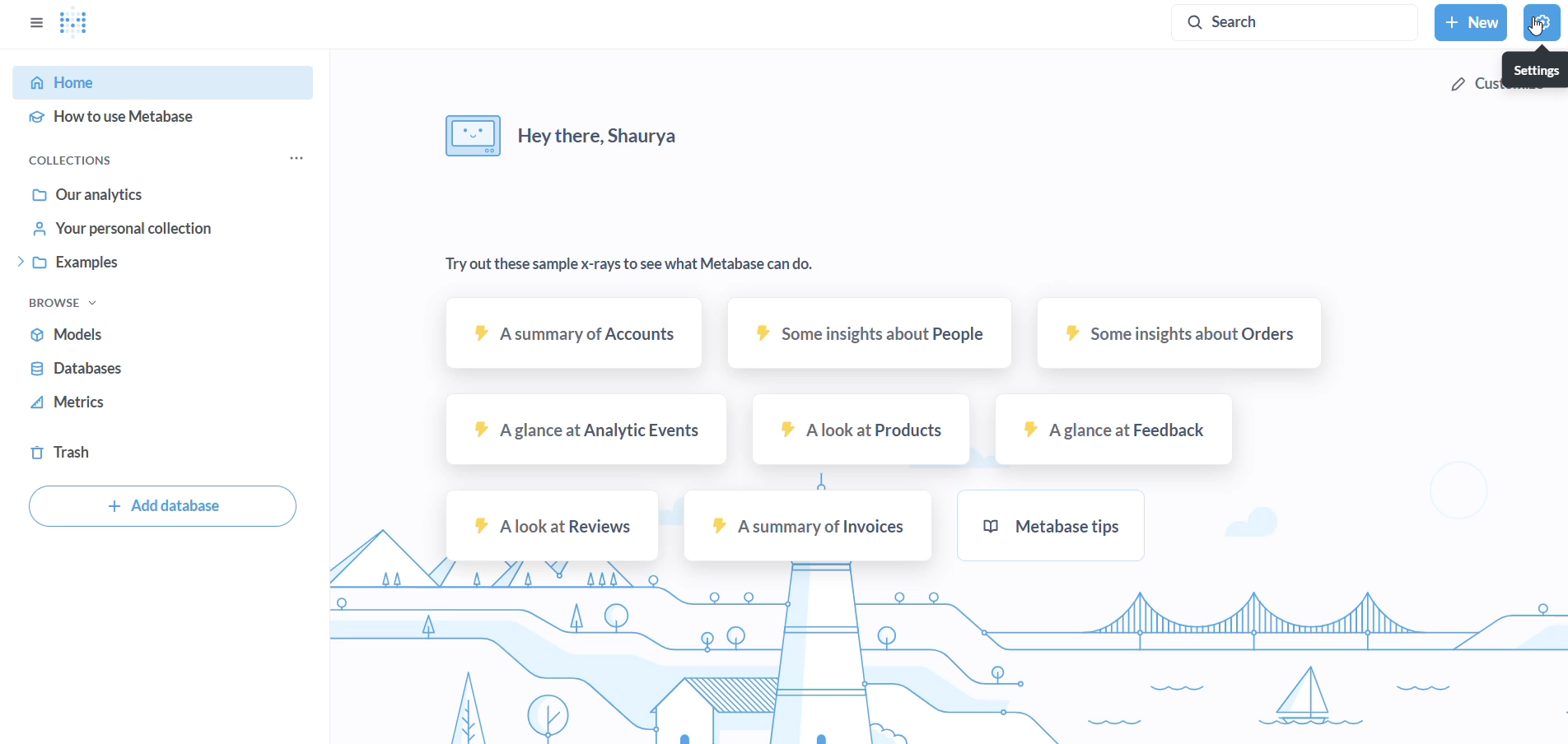 The image size is (1568, 744). I want to click on [O Our analytics, so click(86, 193).